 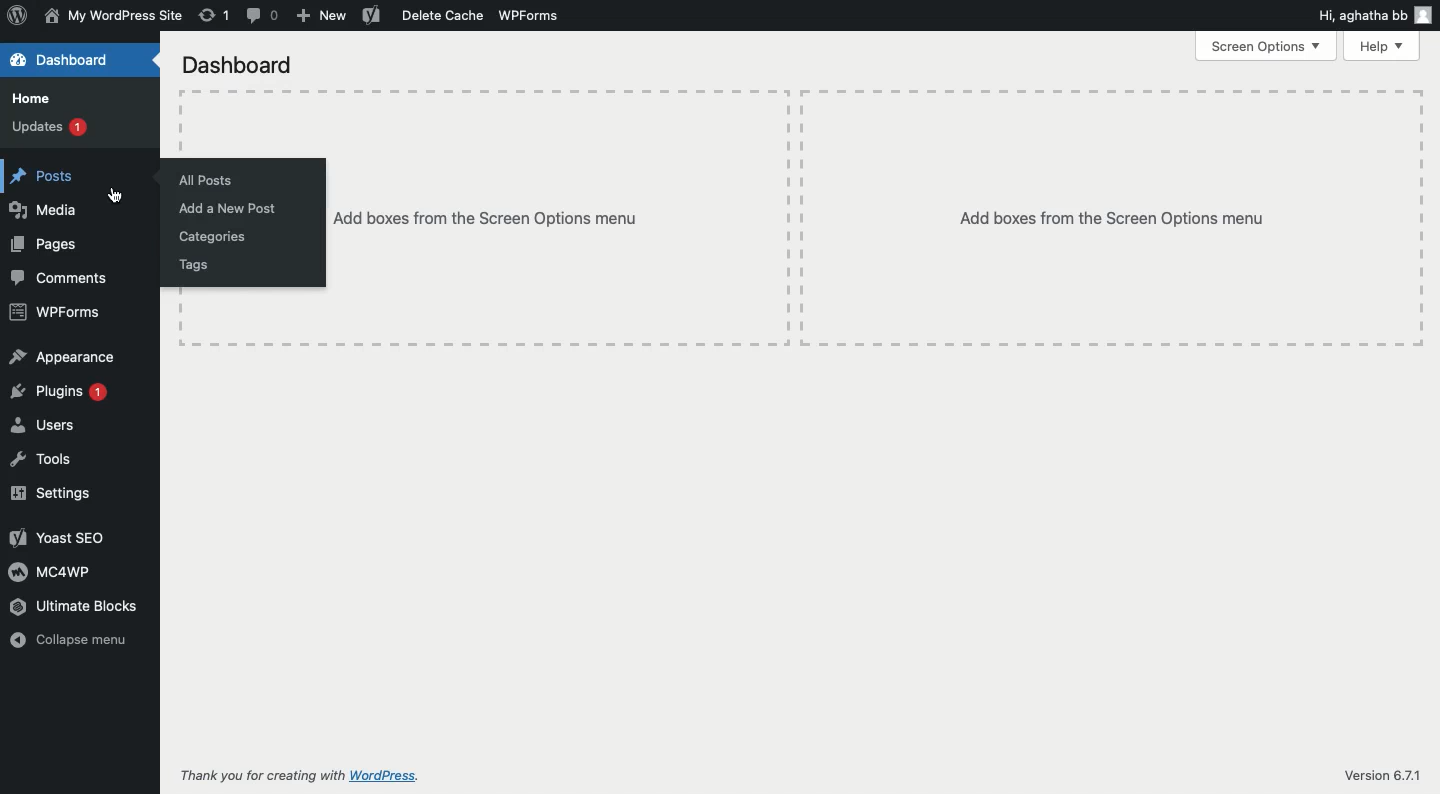 I want to click on Logo, so click(x=16, y=16).